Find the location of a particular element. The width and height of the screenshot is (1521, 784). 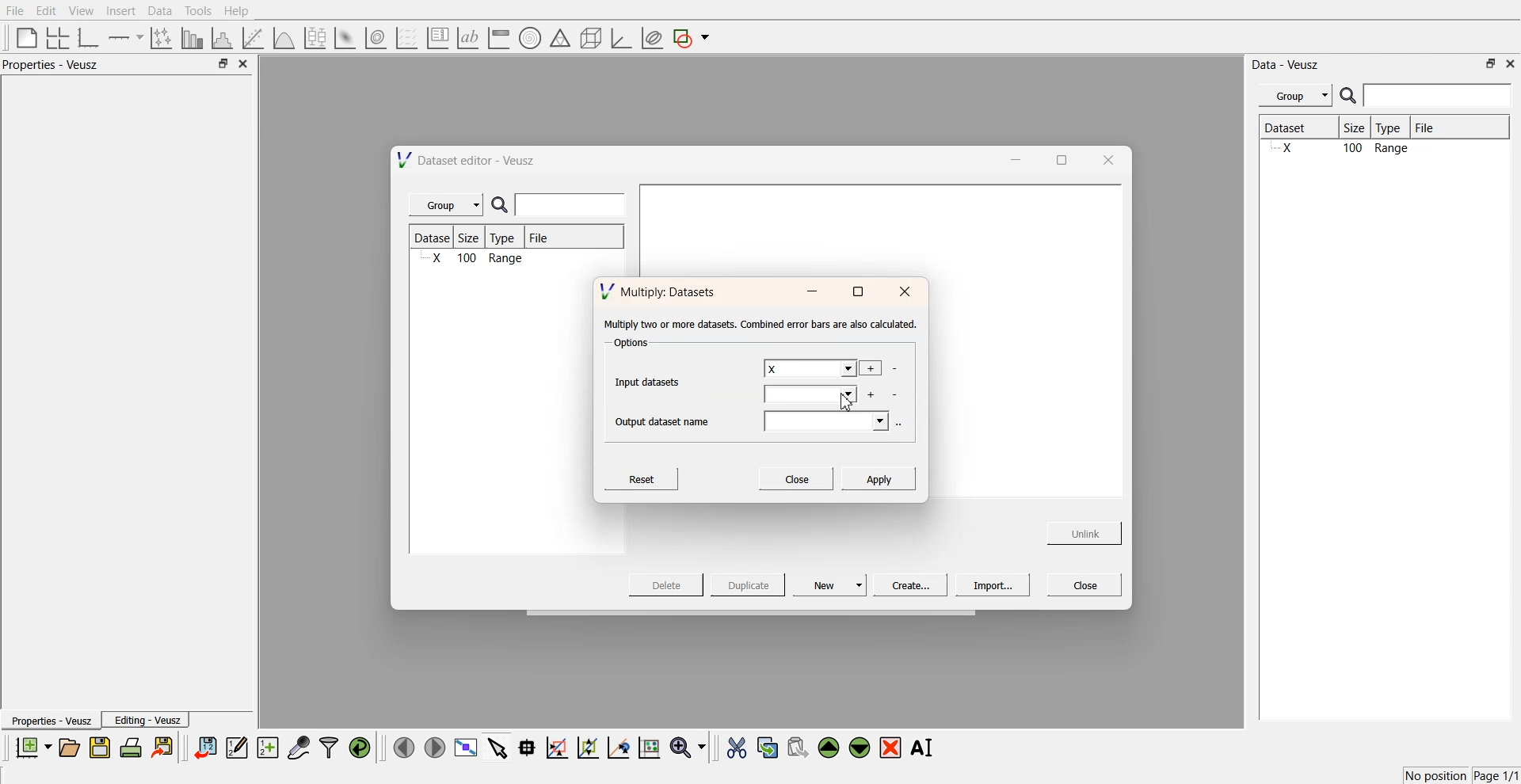

read data points is located at coordinates (527, 748).